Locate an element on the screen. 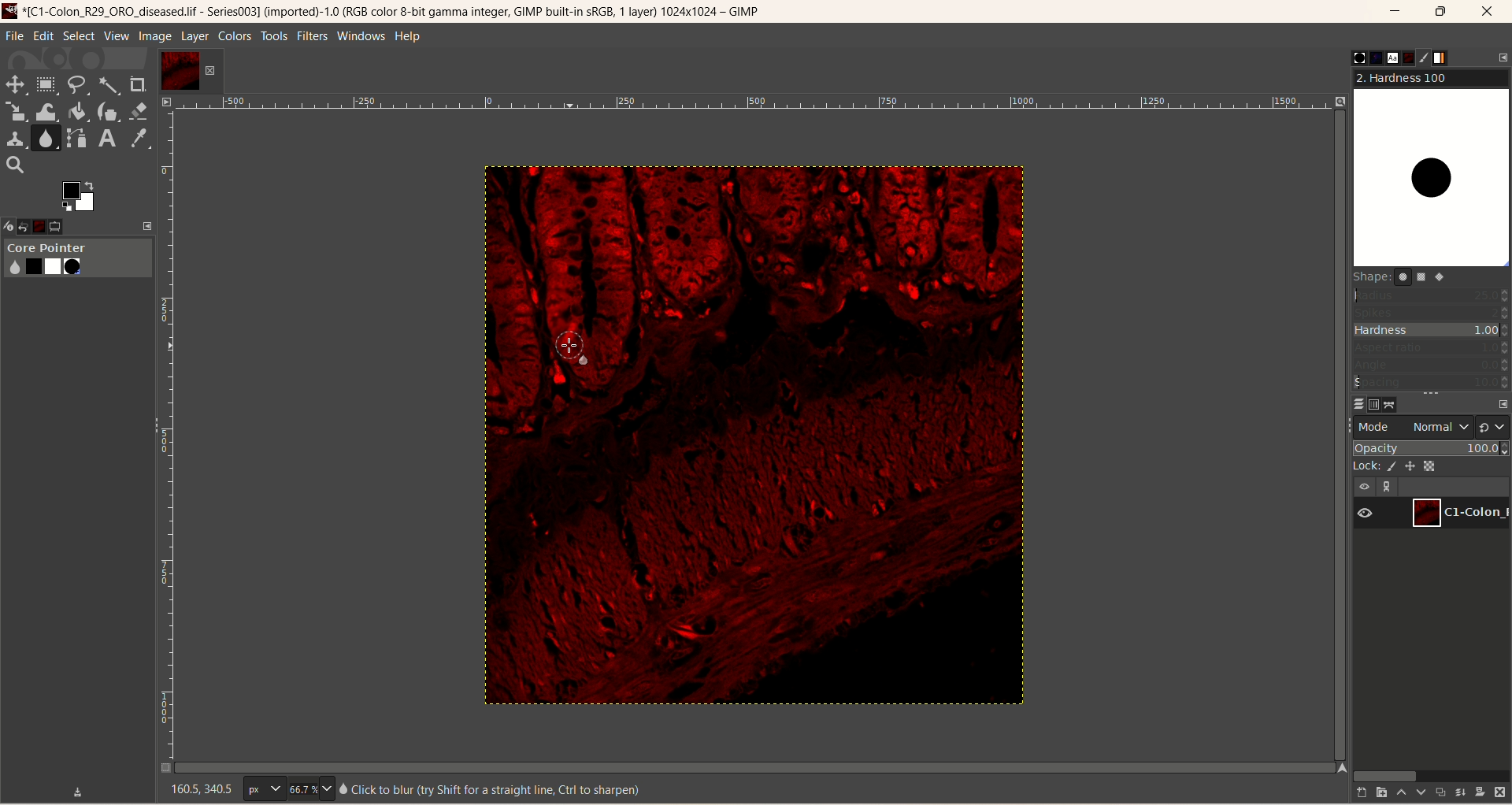 The image size is (1512, 805). hardness100 is located at coordinates (1431, 169).